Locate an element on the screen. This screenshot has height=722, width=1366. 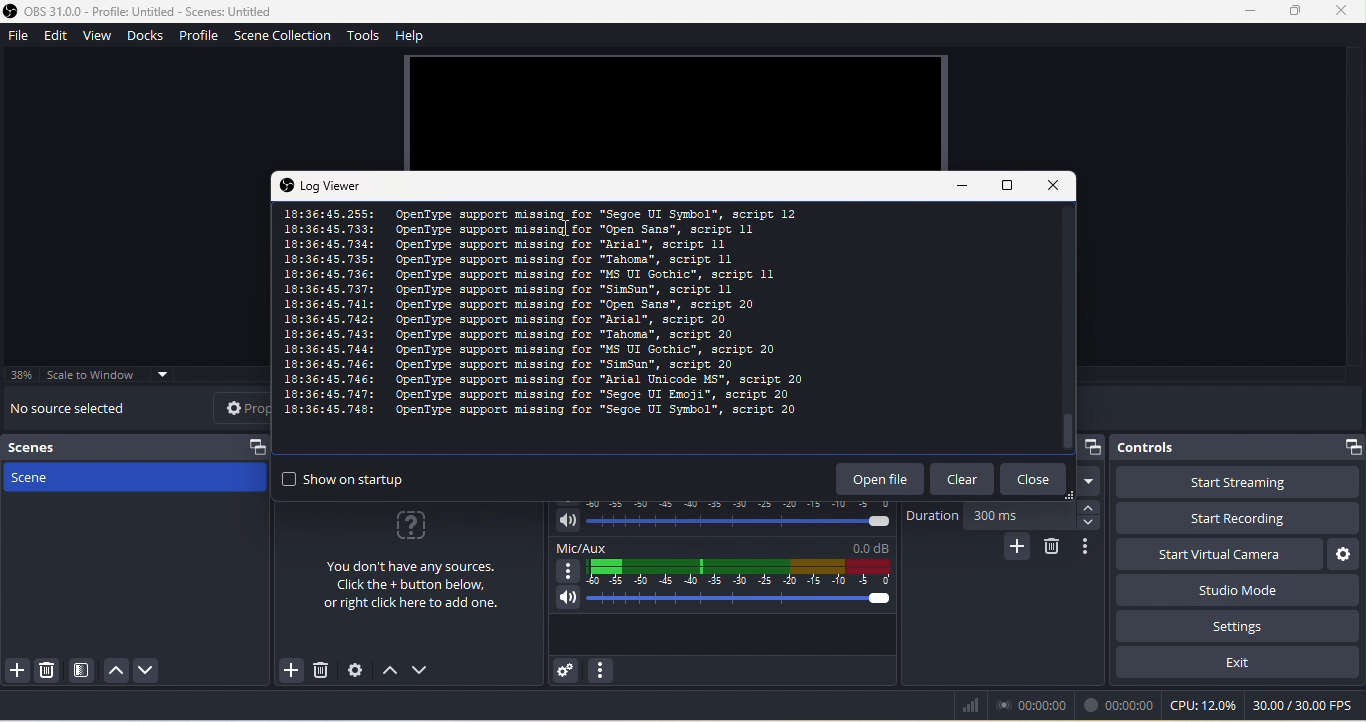
duration is located at coordinates (930, 518).